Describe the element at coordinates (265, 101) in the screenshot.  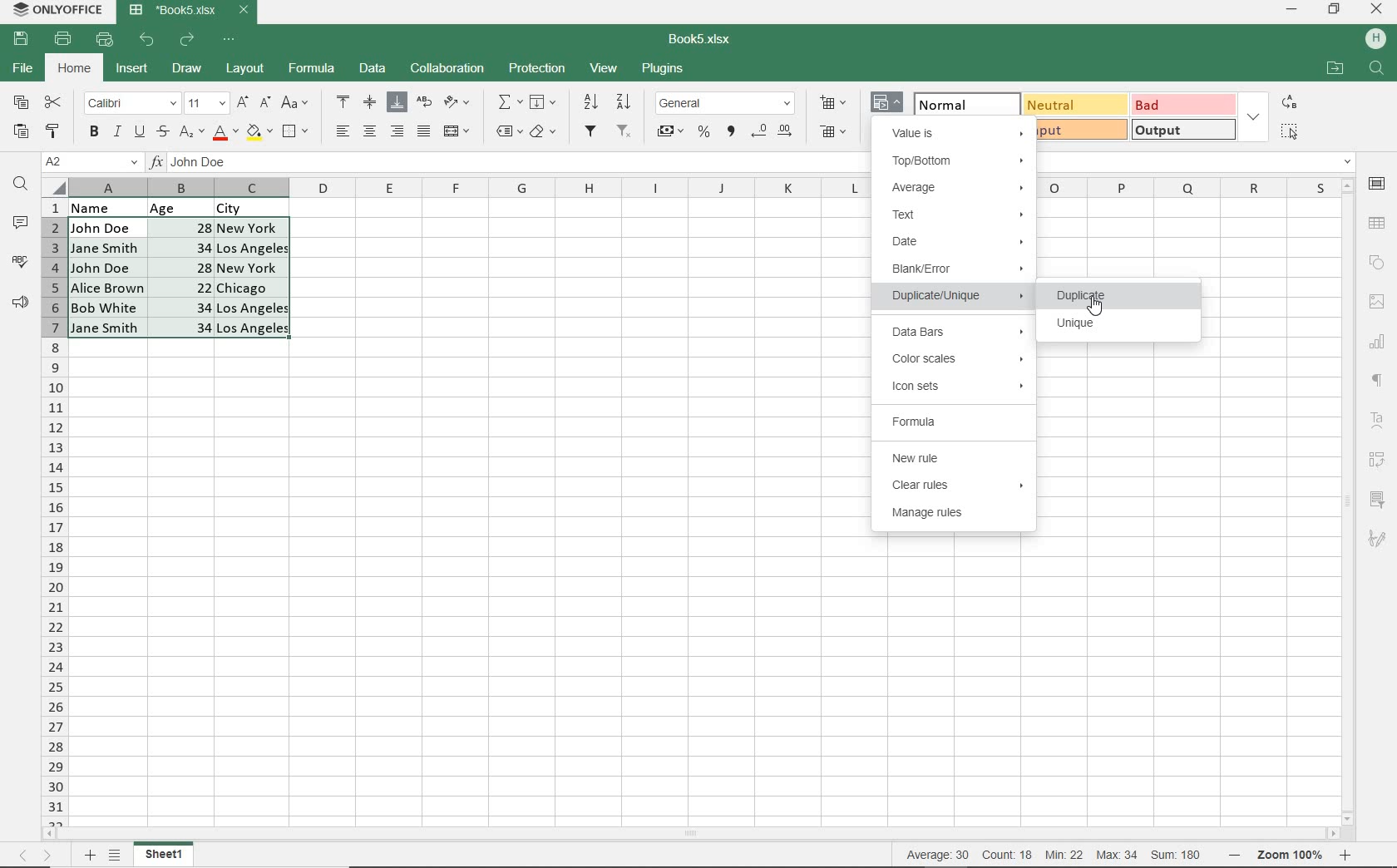
I see `DECREMENT FONT SIZE` at that location.